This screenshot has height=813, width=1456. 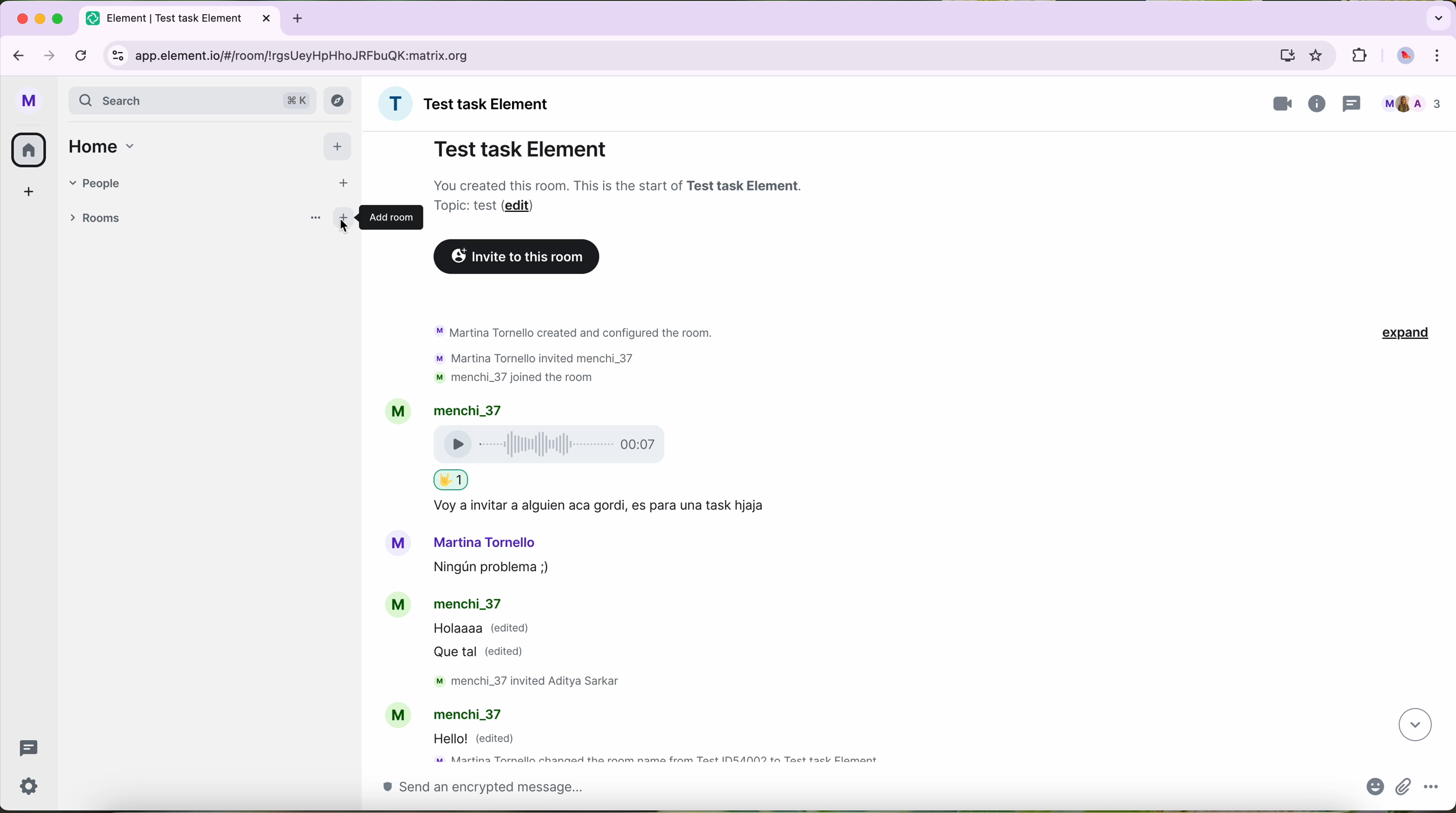 I want to click on home tab, so click(x=106, y=146).